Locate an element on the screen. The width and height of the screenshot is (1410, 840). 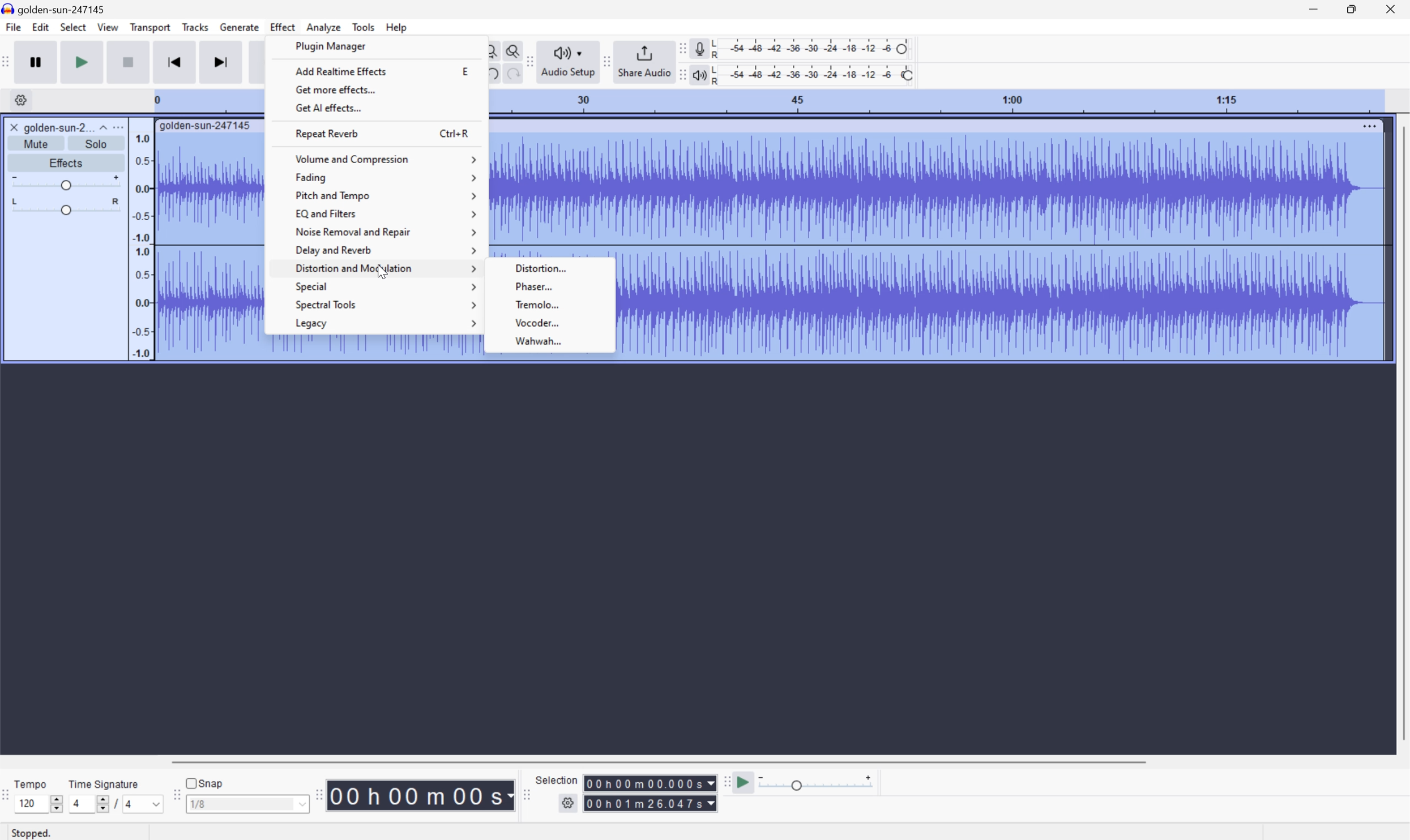
Get more effects... is located at coordinates (335, 89).